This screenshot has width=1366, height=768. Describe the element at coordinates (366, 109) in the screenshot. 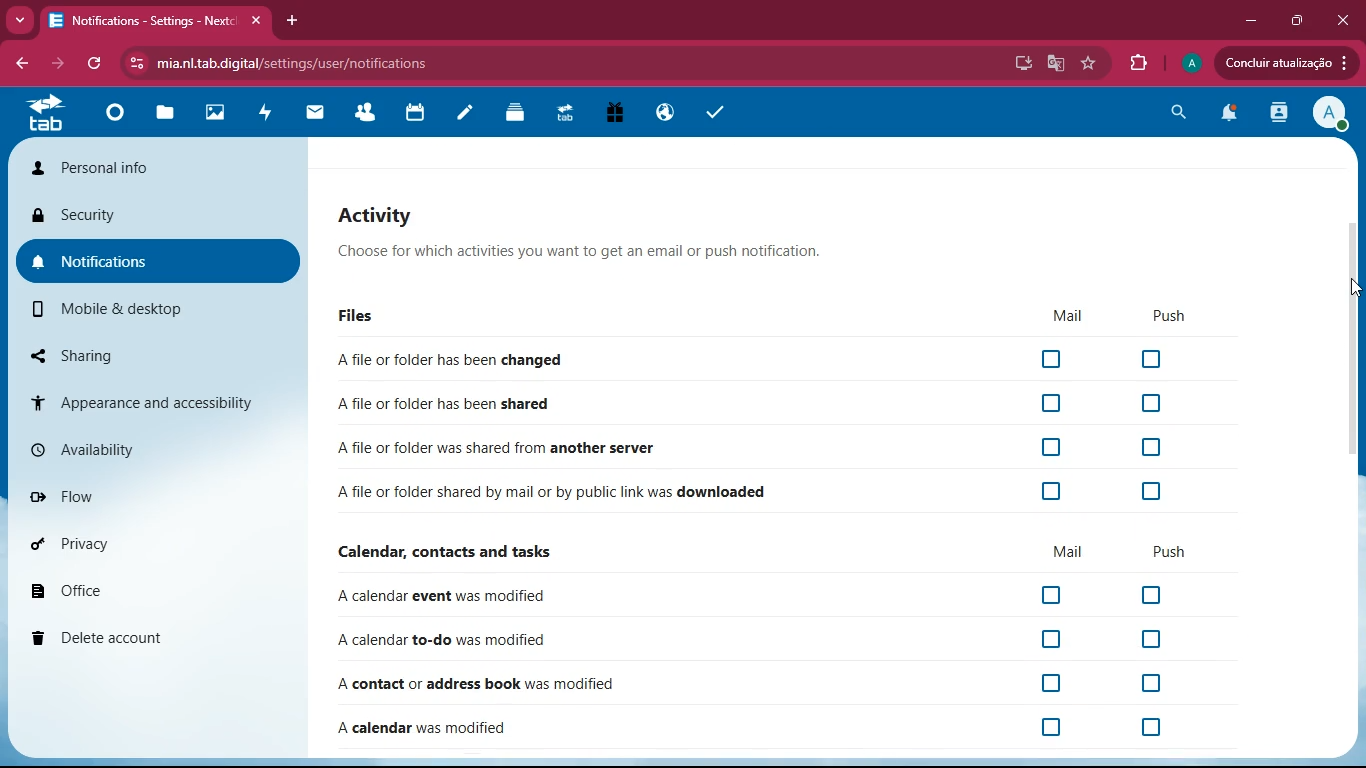

I see `friends` at that location.